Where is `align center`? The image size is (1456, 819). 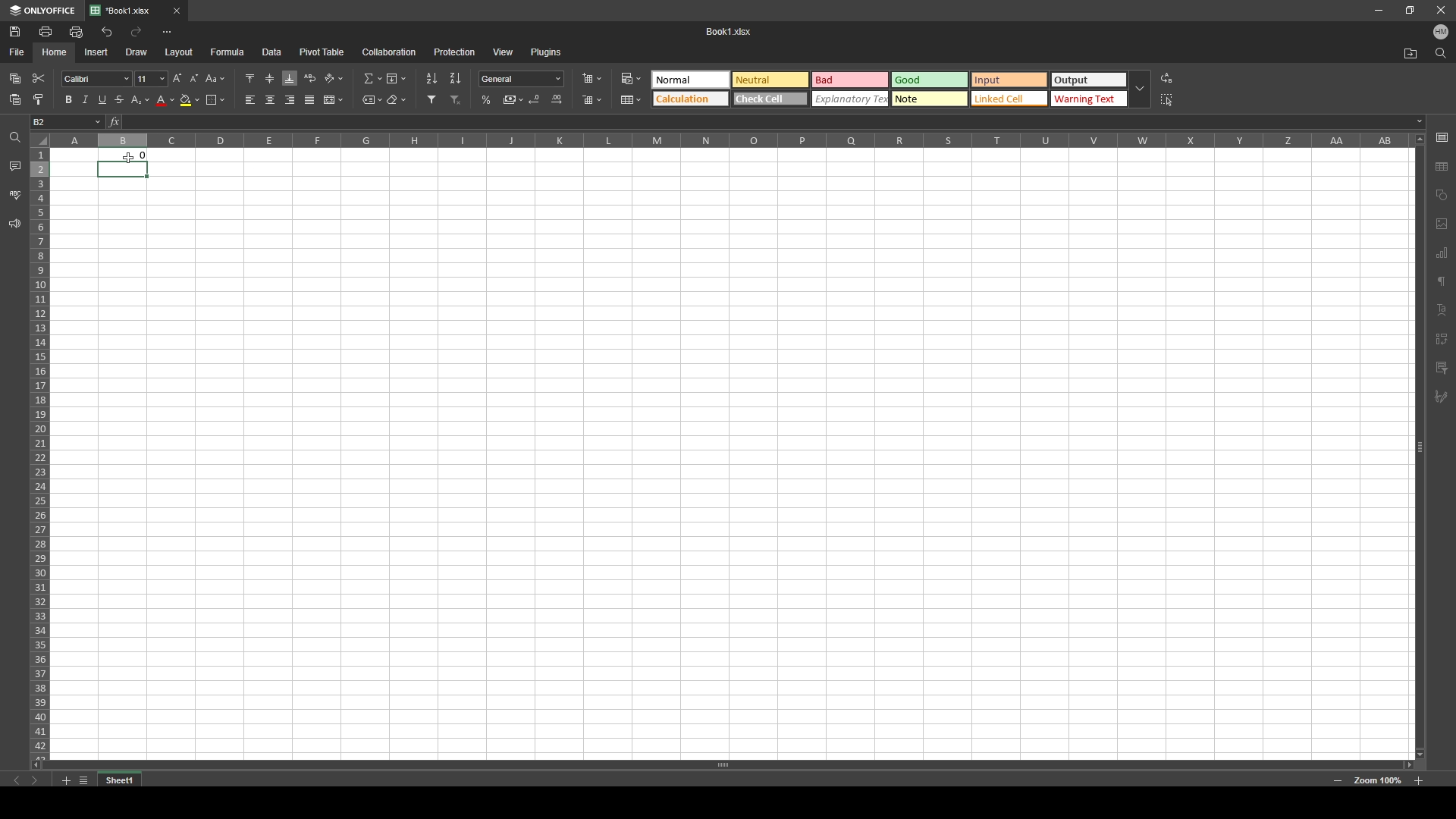
align center is located at coordinates (271, 99).